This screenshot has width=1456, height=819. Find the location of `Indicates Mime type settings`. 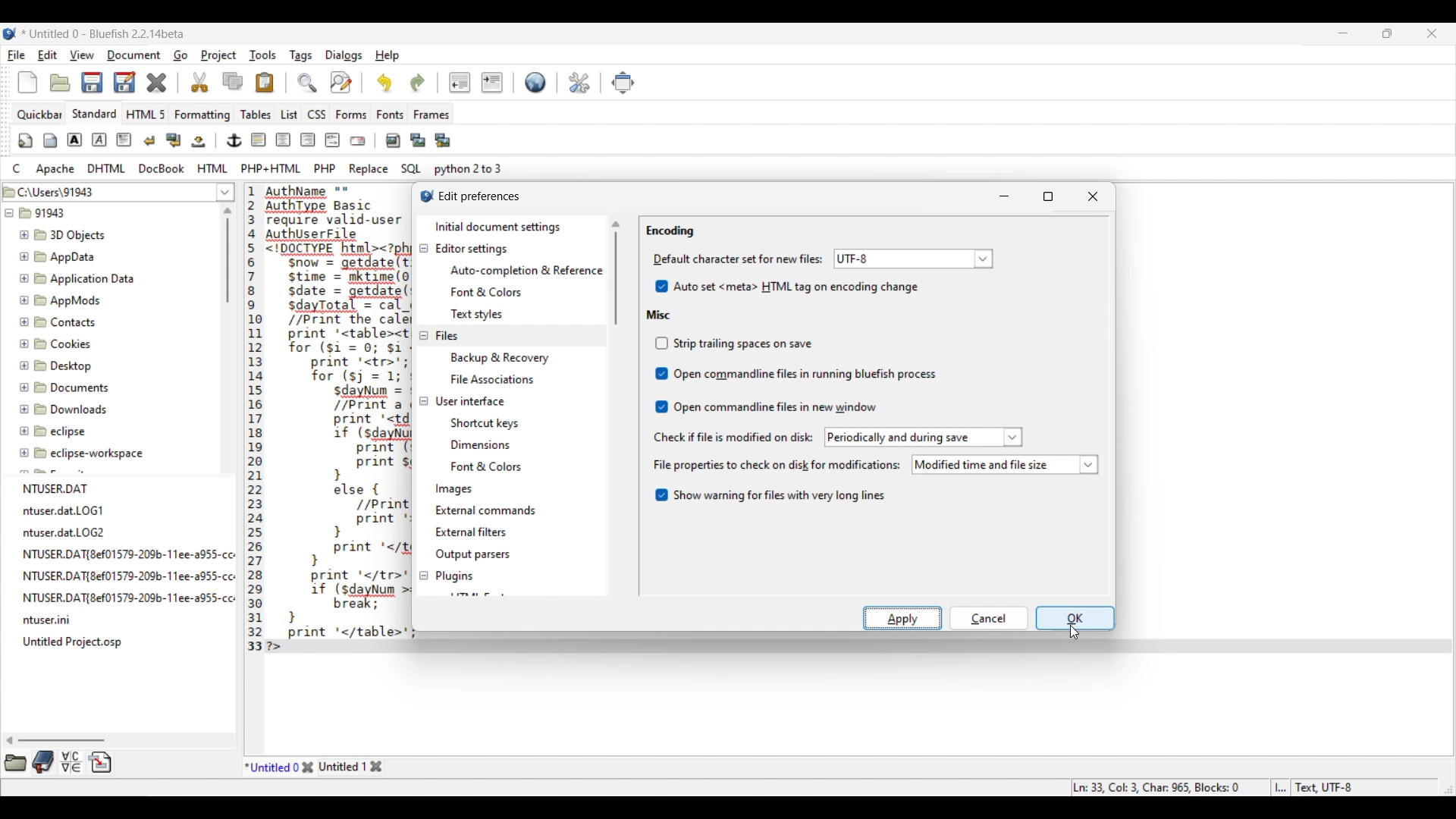

Indicates Mime type settings is located at coordinates (739, 258).